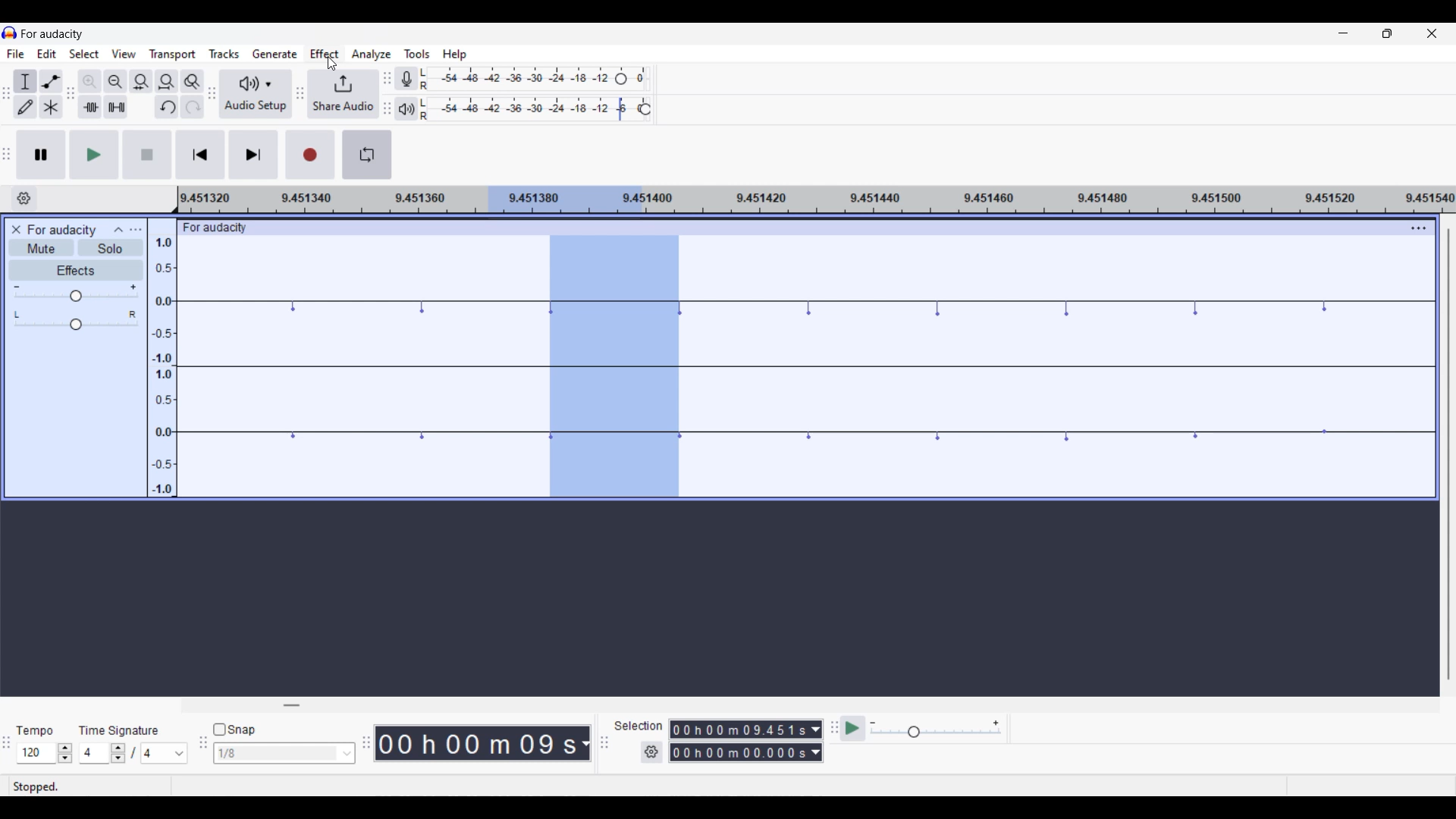 The height and width of the screenshot is (819, 1456). What do you see at coordinates (1059, 368) in the screenshot?
I see `Current track` at bounding box center [1059, 368].